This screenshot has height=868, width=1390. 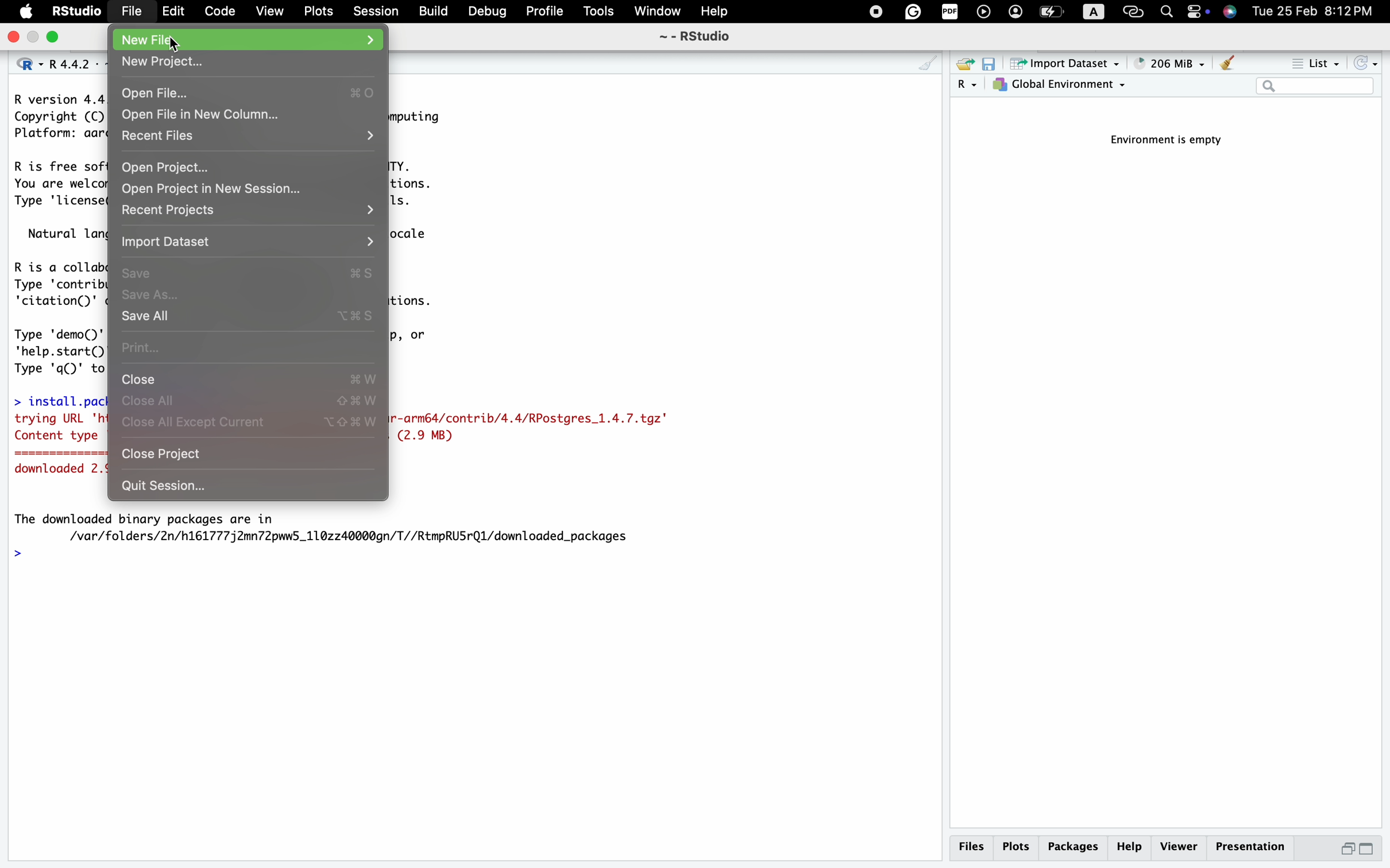 I want to click on demo and help of R, so click(x=57, y=349).